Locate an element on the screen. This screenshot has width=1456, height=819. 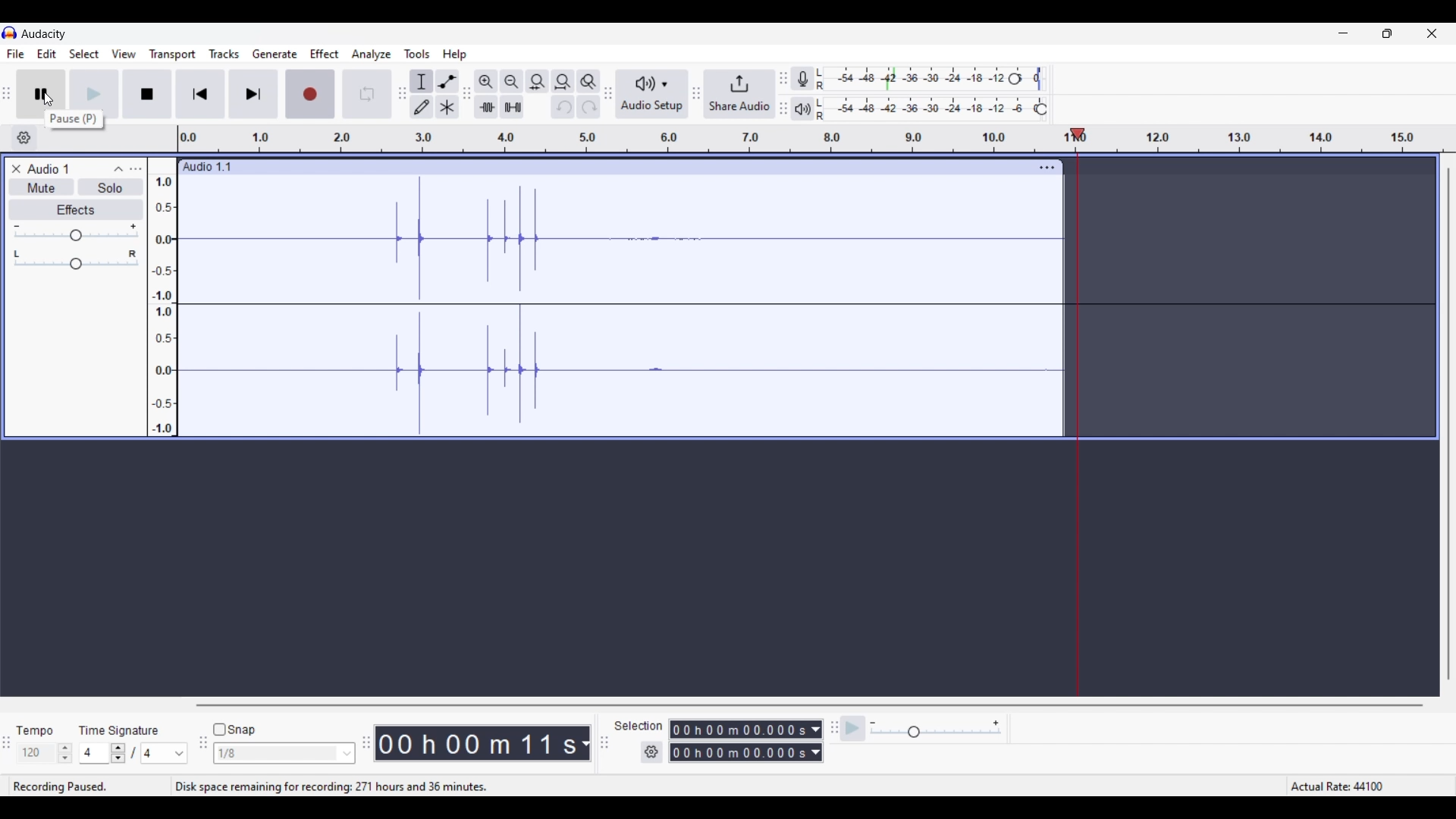
Stop is located at coordinates (147, 94).